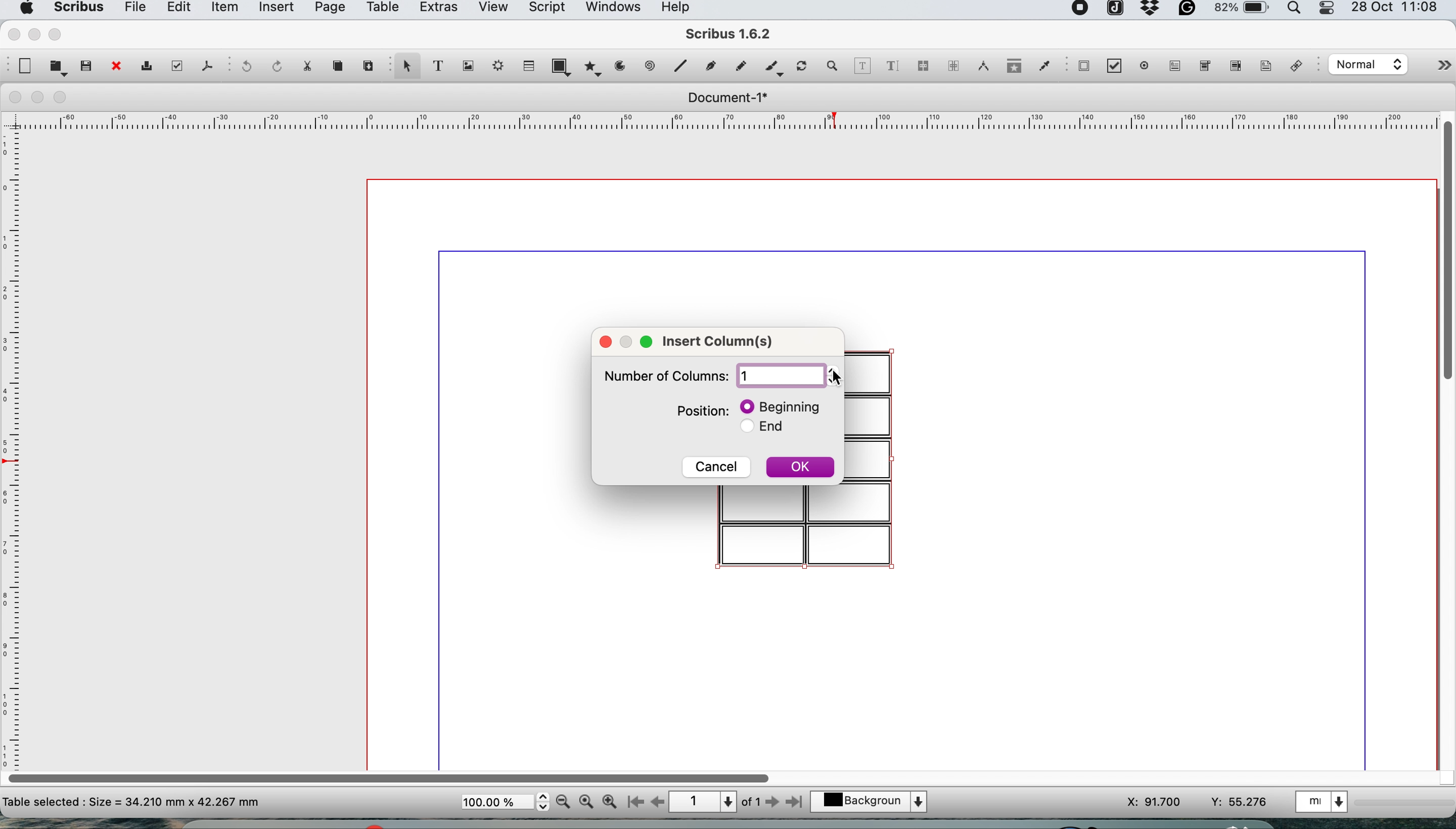  I want to click on text, so click(132, 801).